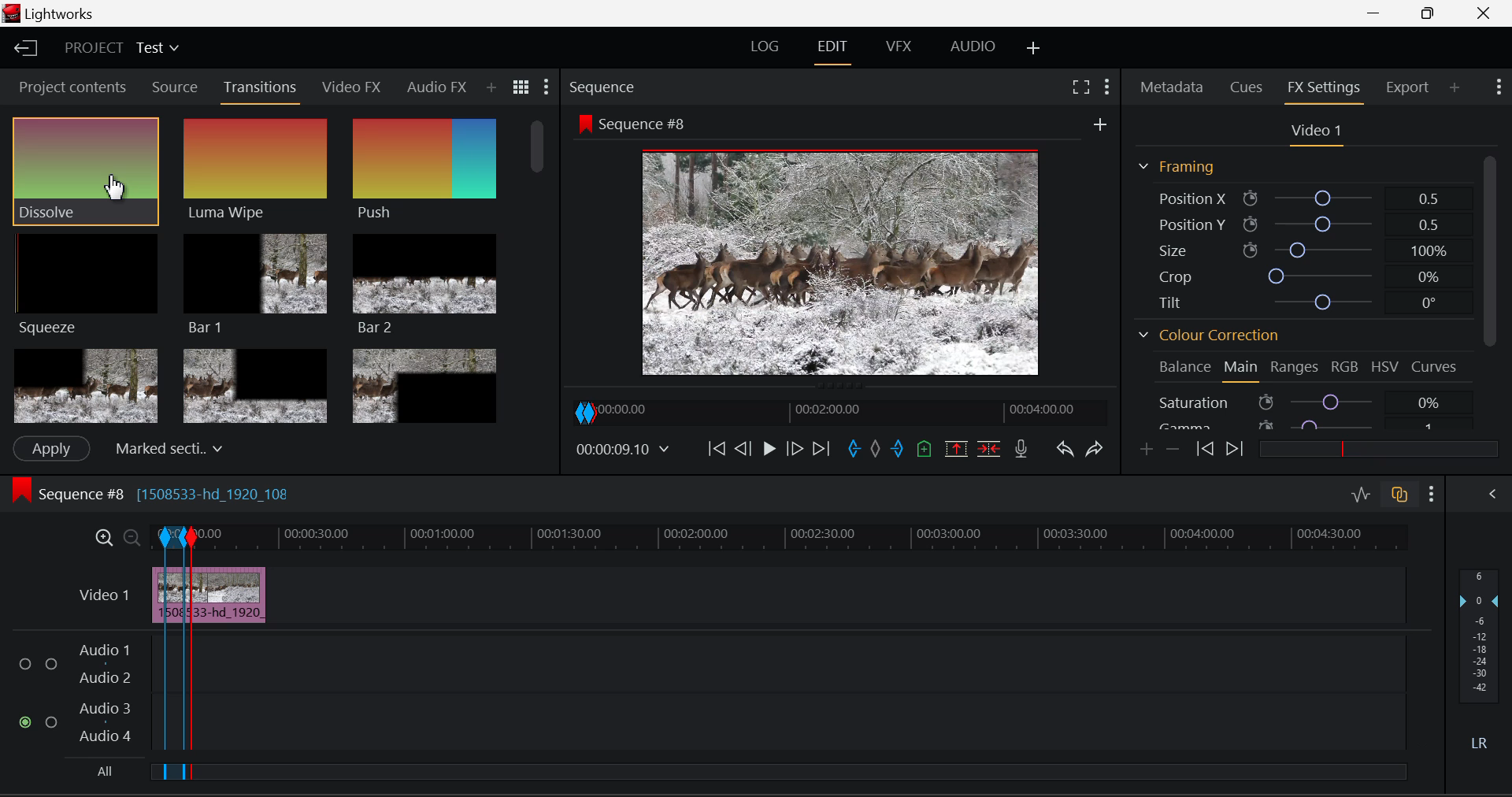 The image size is (1512, 797). I want to click on Video Layer, so click(104, 595).